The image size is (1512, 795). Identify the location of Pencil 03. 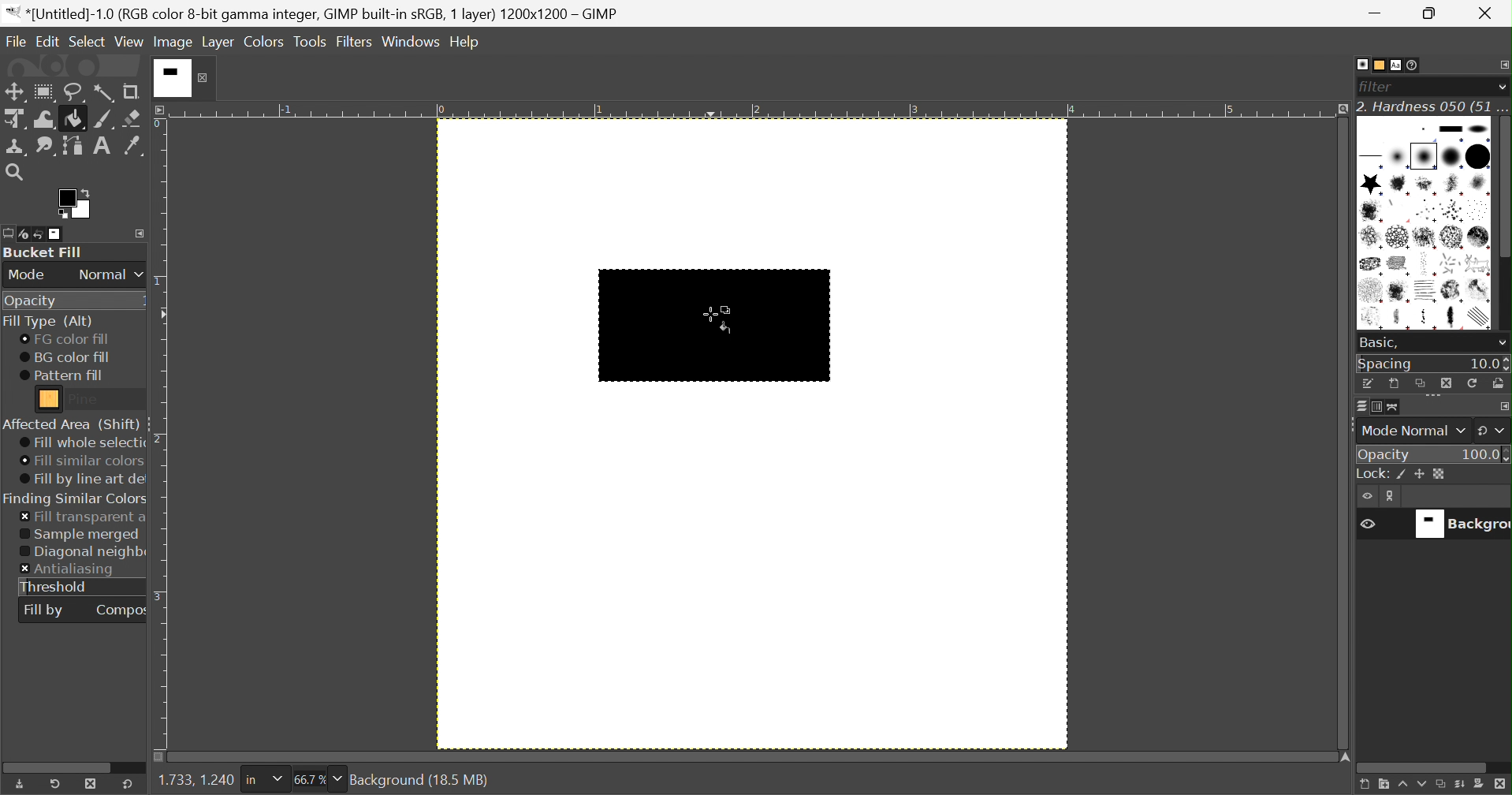
(1455, 319).